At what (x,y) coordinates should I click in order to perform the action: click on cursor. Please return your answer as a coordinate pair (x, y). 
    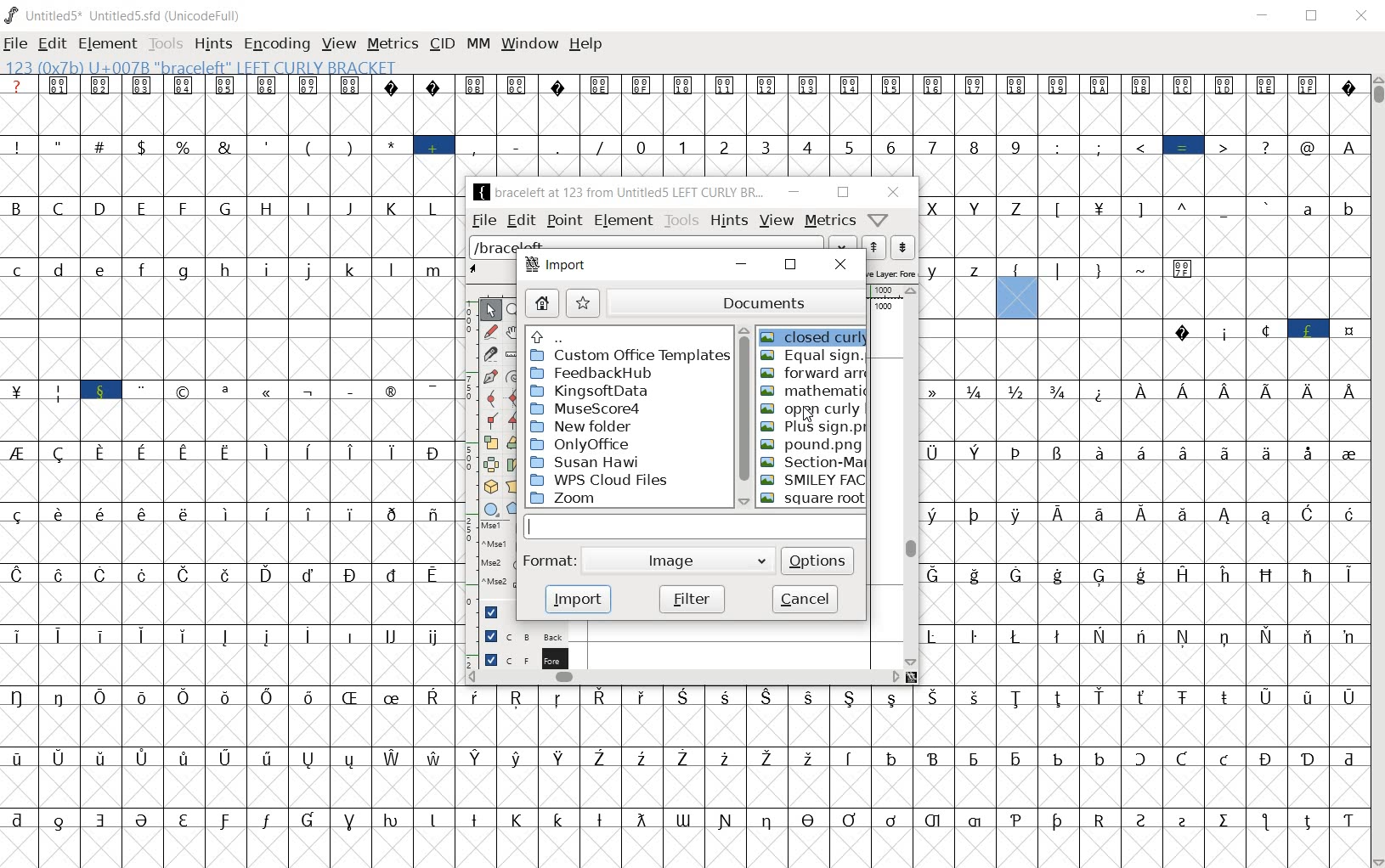
    Looking at the image, I should click on (806, 417).